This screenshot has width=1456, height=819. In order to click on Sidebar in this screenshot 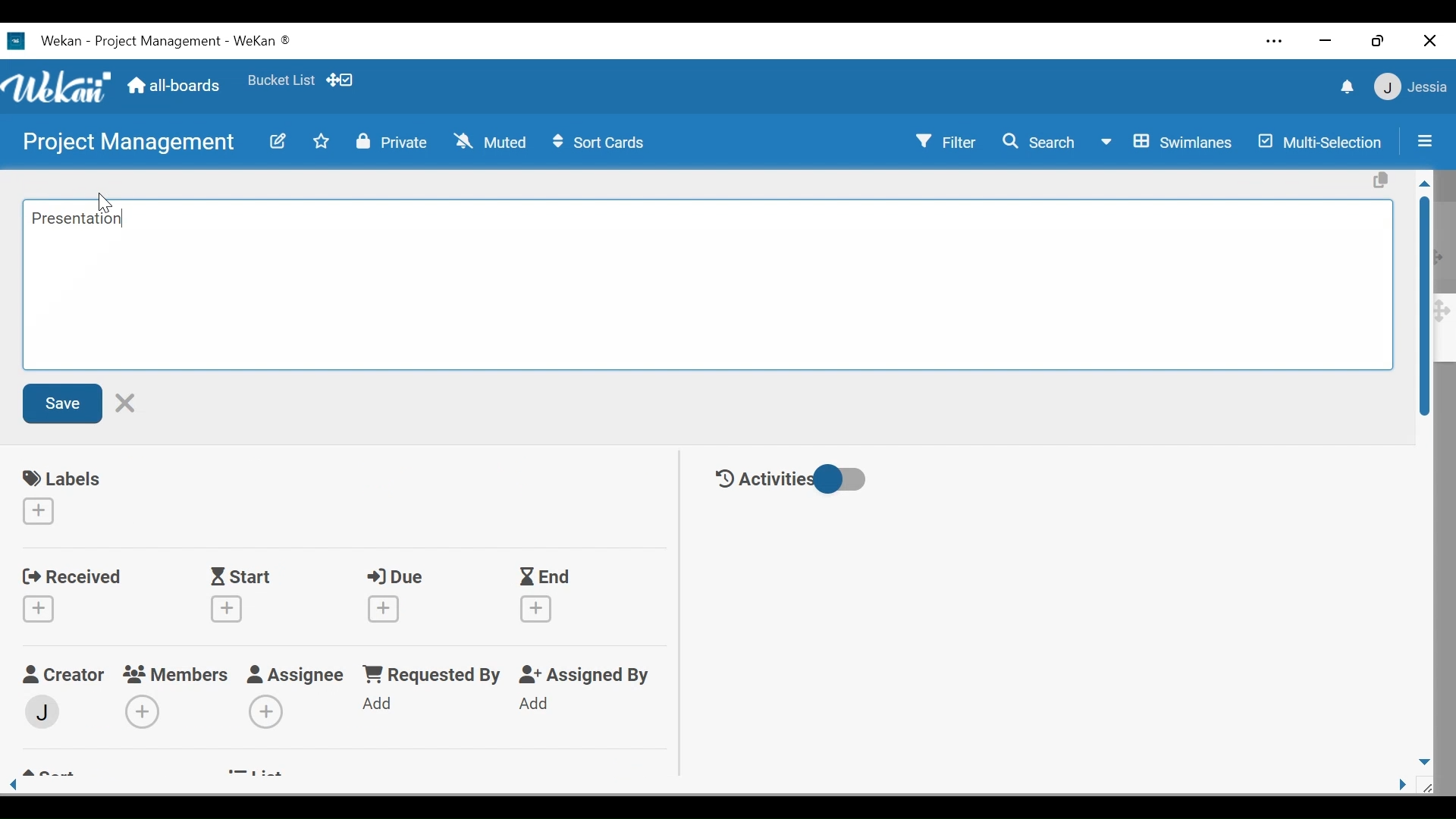, I will do `click(1426, 140)`.